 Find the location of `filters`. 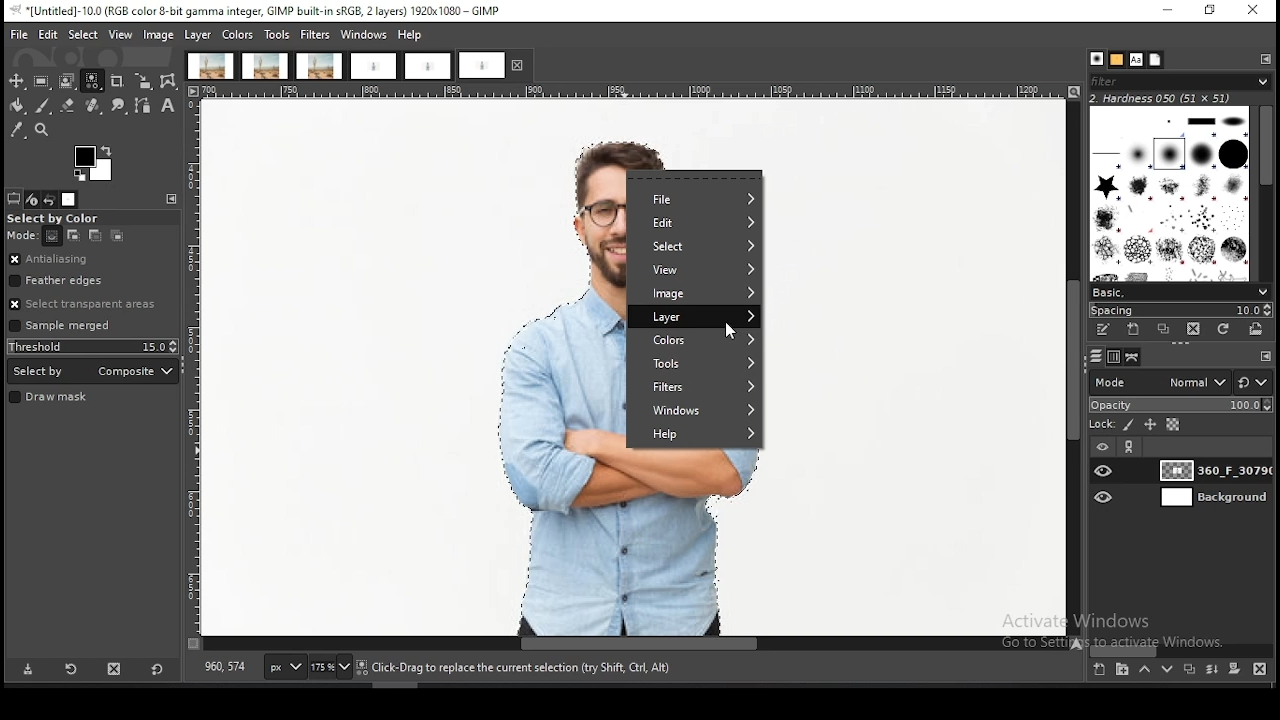

filters is located at coordinates (316, 35).